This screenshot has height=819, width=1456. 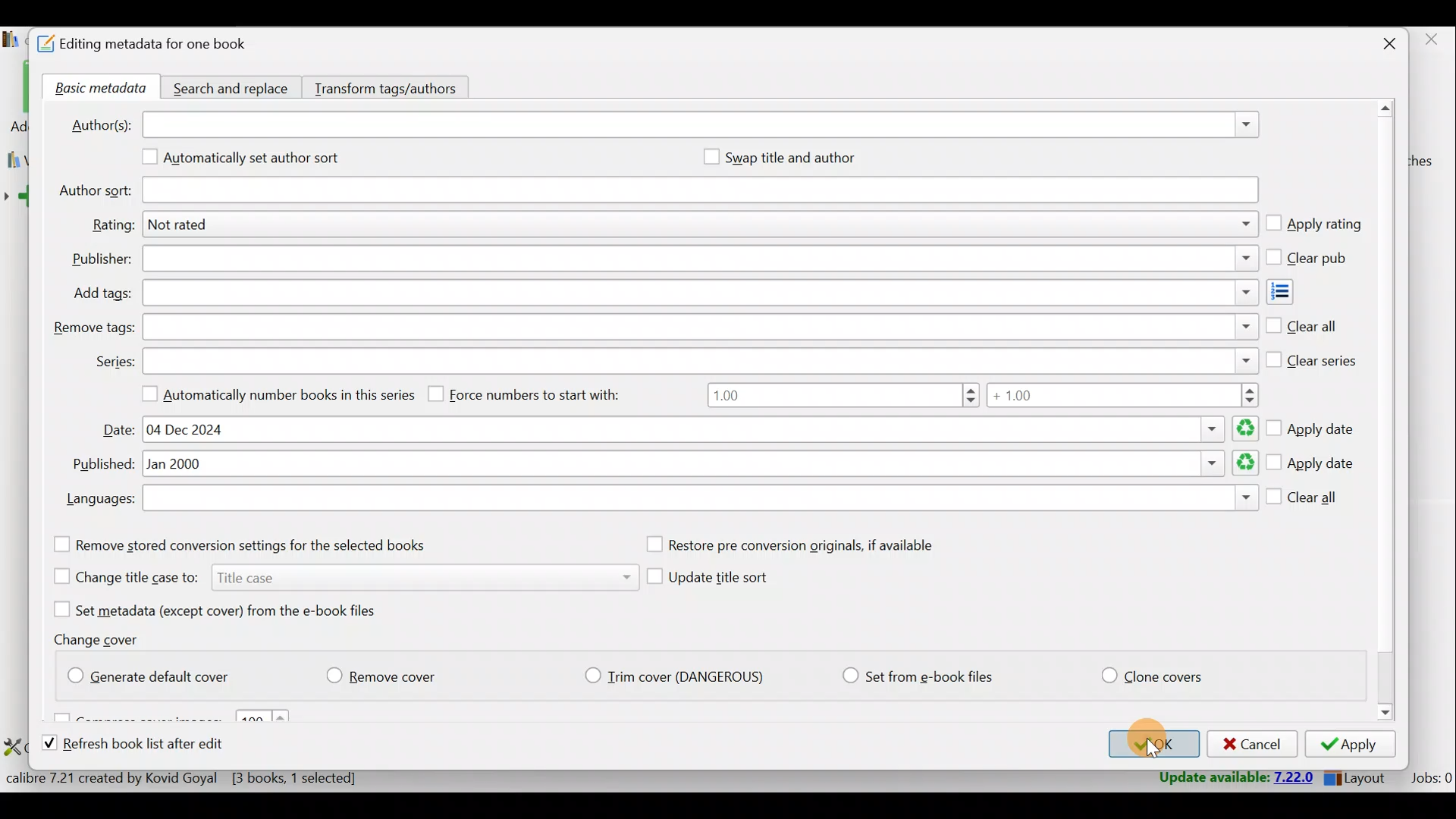 I want to click on Clear all, so click(x=1302, y=323).